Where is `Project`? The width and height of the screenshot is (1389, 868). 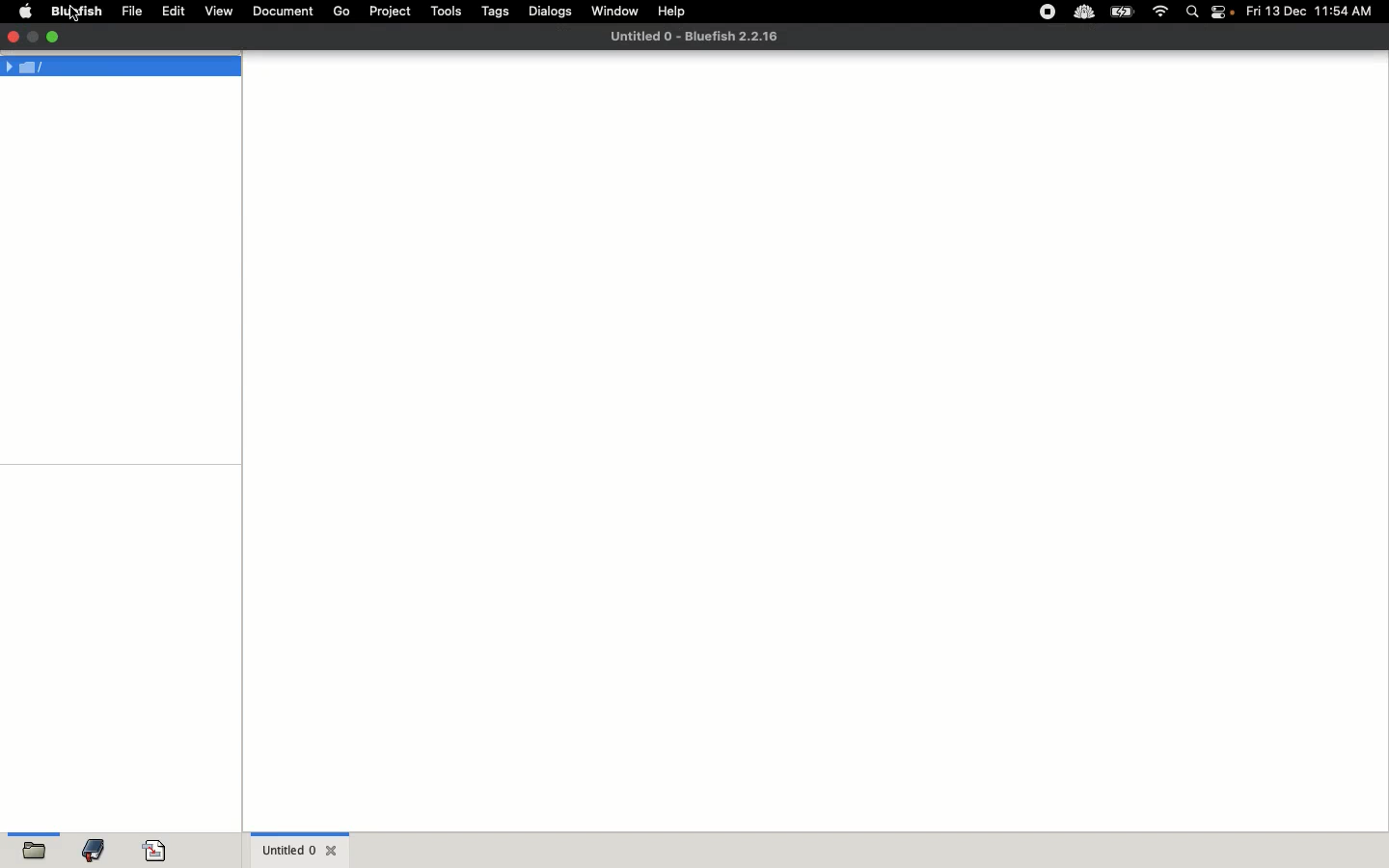 Project is located at coordinates (389, 12).